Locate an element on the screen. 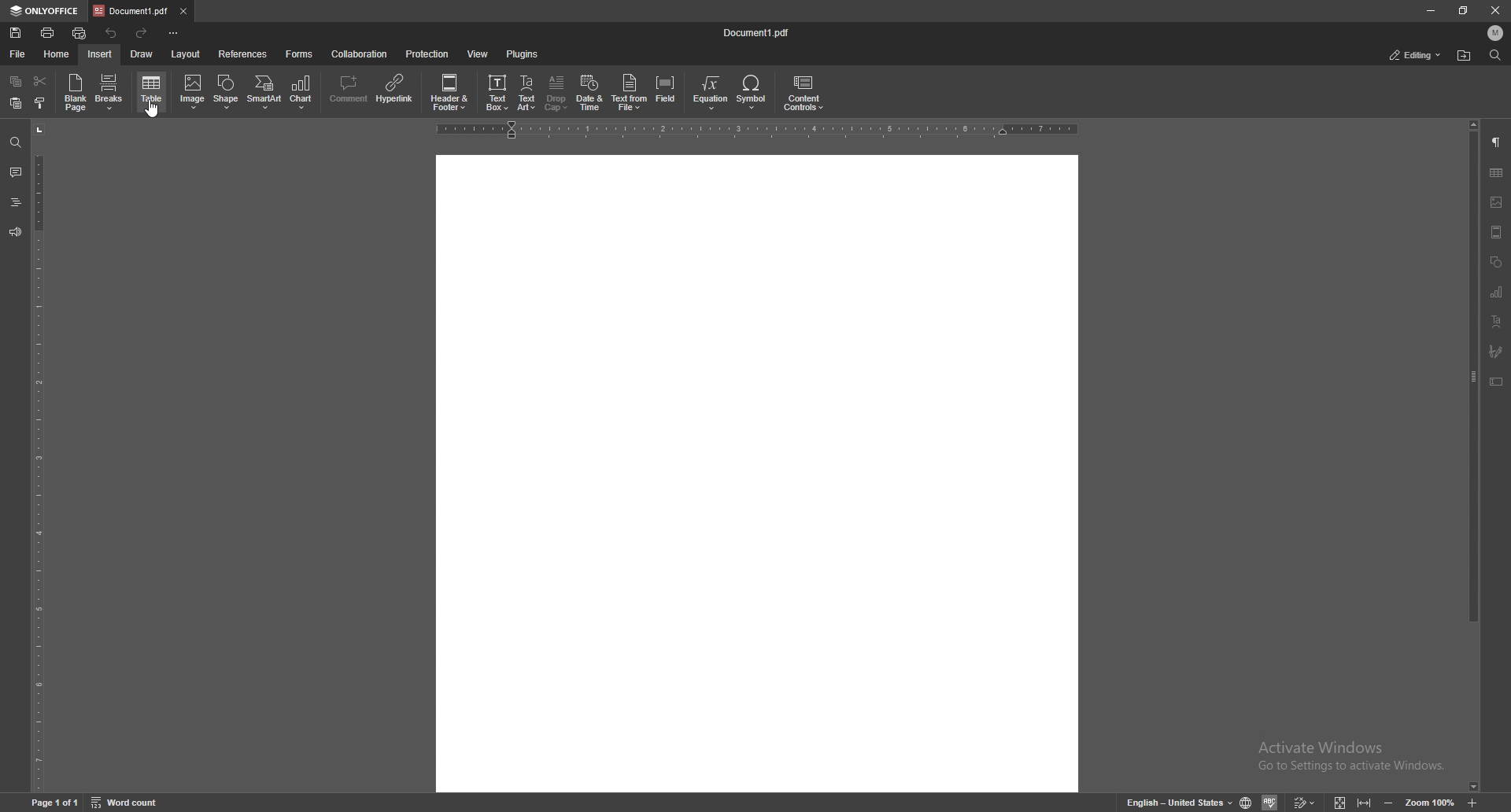 This screenshot has height=812, width=1511. comment is located at coordinates (348, 92).